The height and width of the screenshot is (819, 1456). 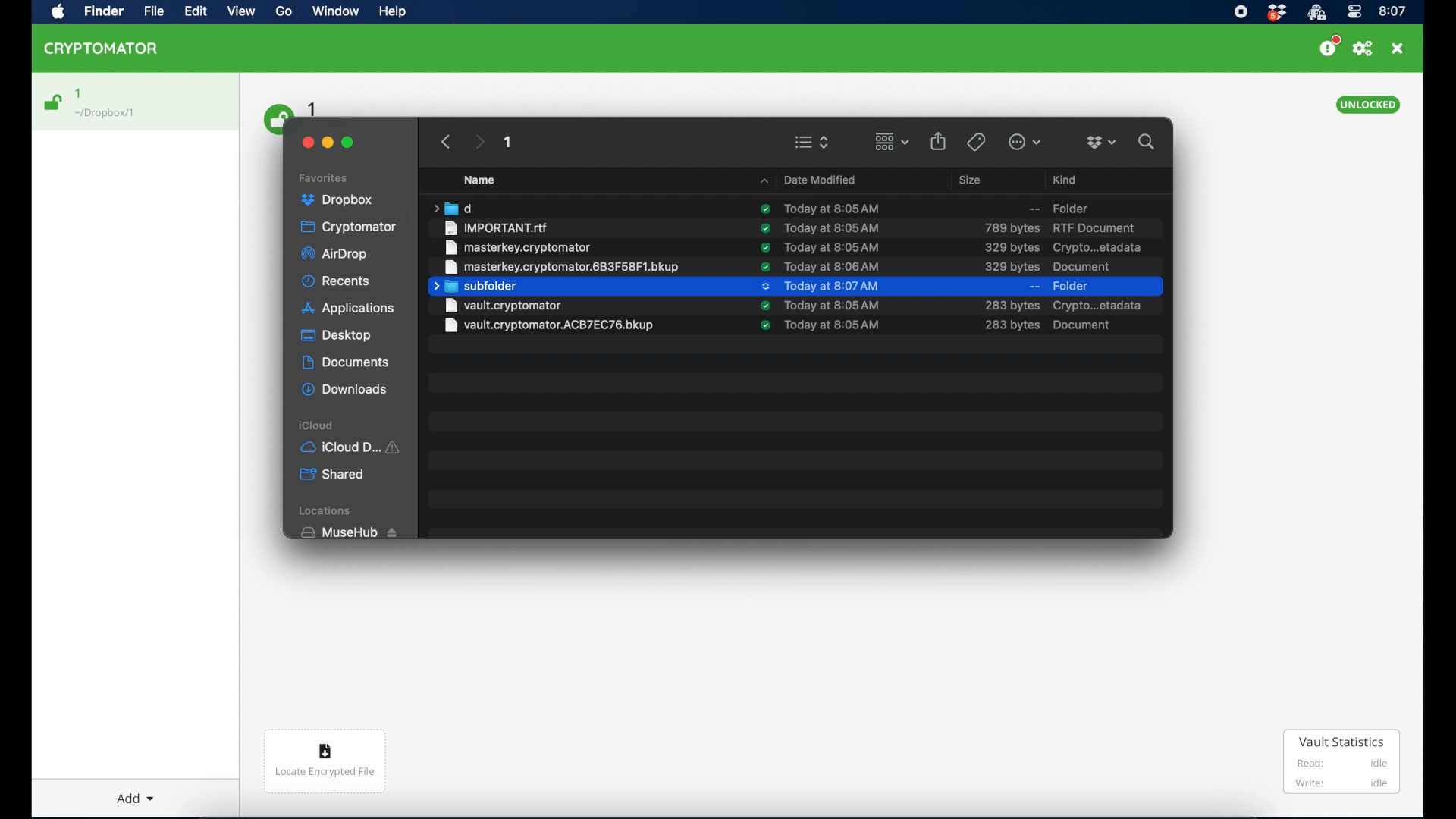 I want to click on document, so click(x=1087, y=267).